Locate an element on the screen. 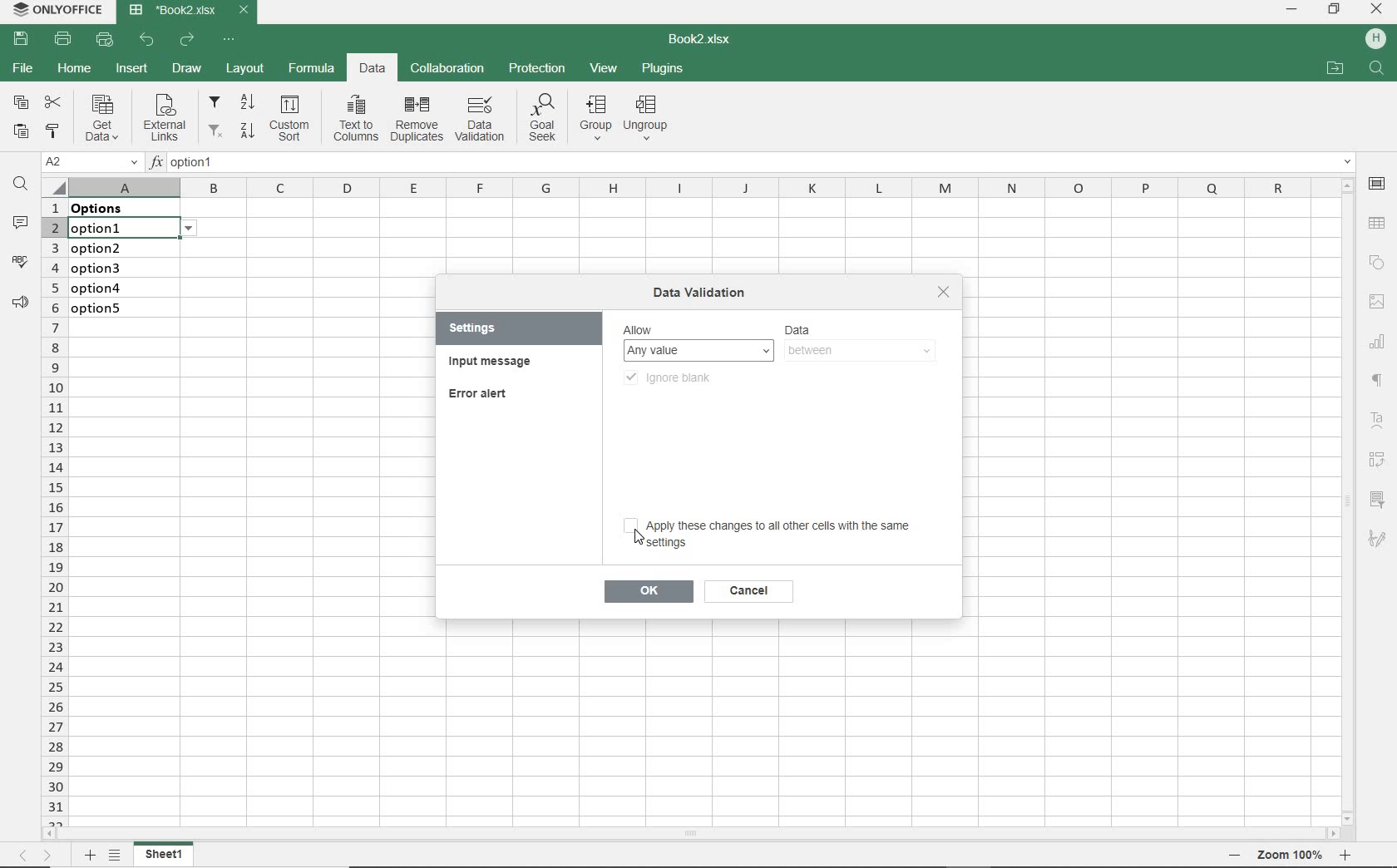 The image size is (1397, 868). FORMULA is located at coordinates (309, 70).